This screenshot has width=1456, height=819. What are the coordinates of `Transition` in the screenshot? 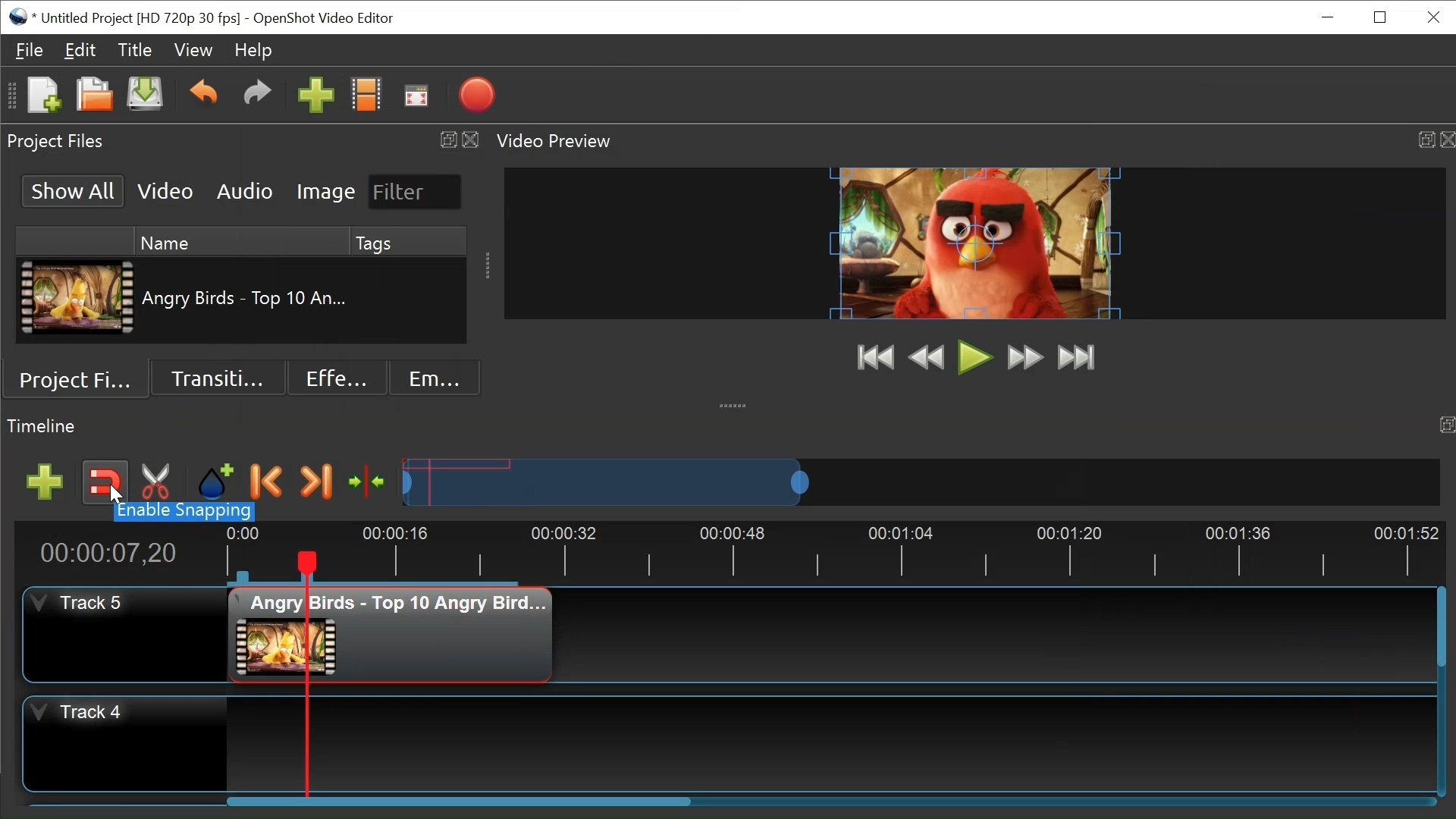 It's located at (218, 376).